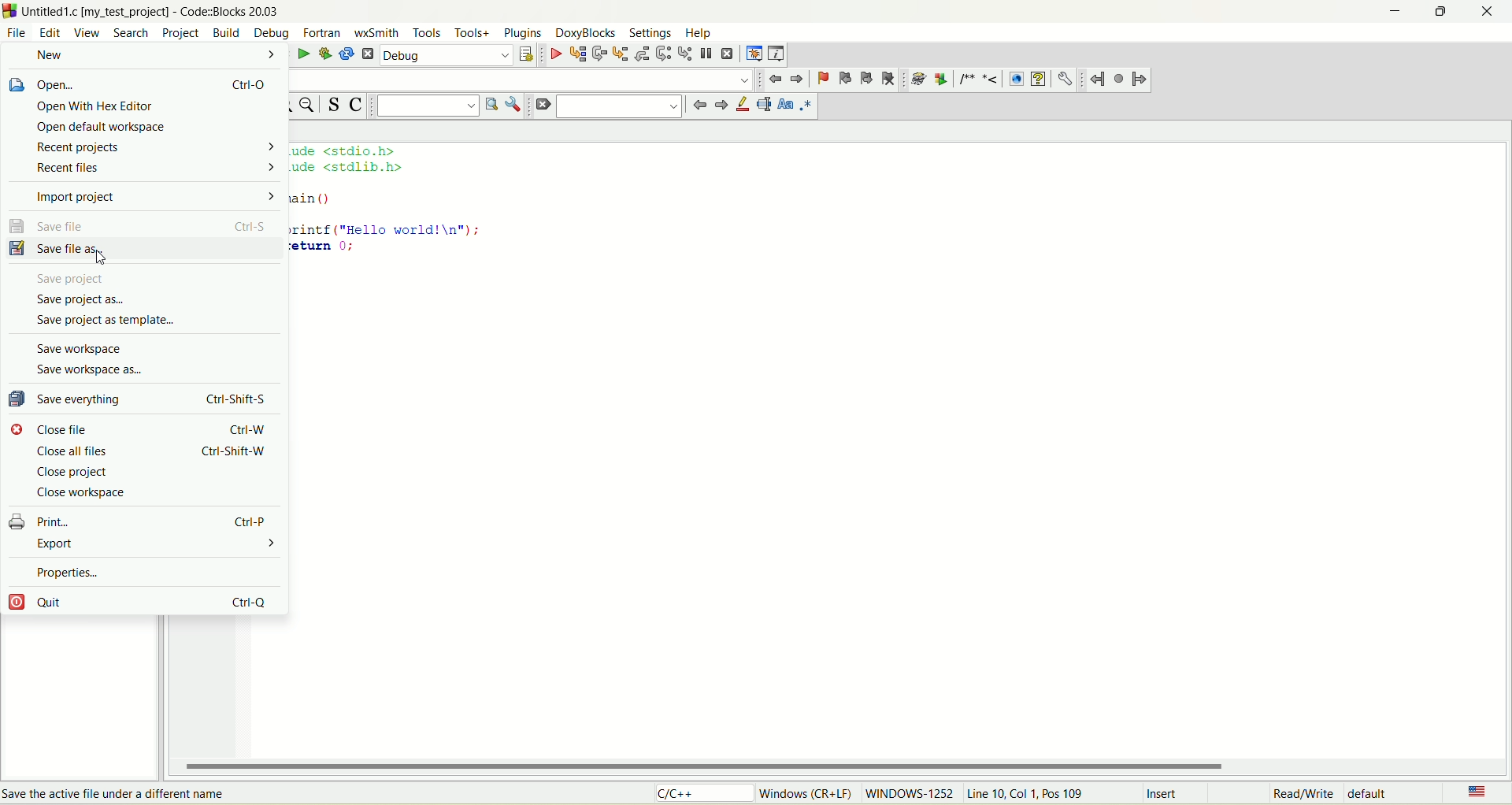 This screenshot has width=1512, height=805. I want to click on save workspace, so click(78, 347).